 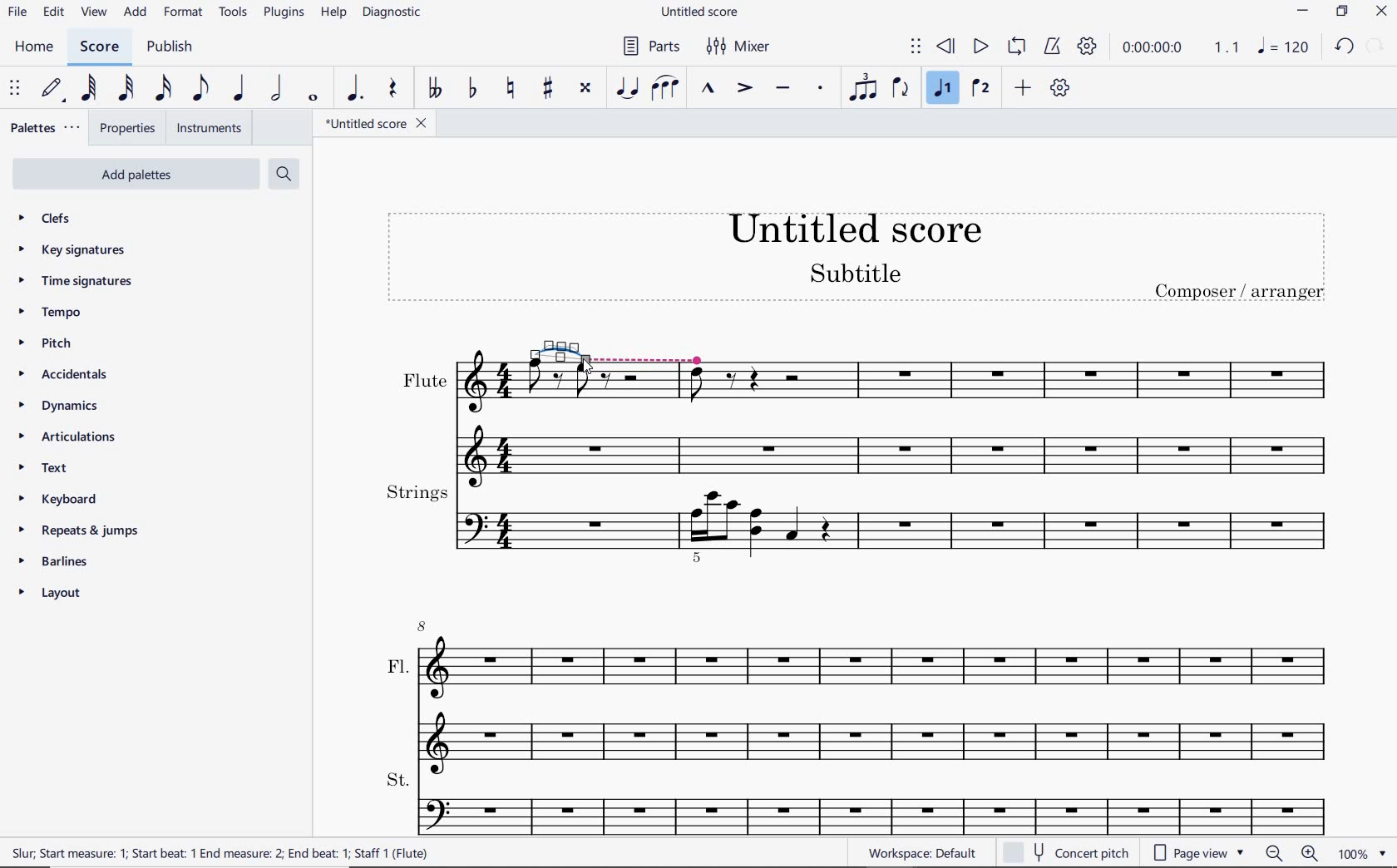 What do you see at coordinates (545, 89) in the screenshot?
I see `TOGGLE SHARP` at bounding box center [545, 89].